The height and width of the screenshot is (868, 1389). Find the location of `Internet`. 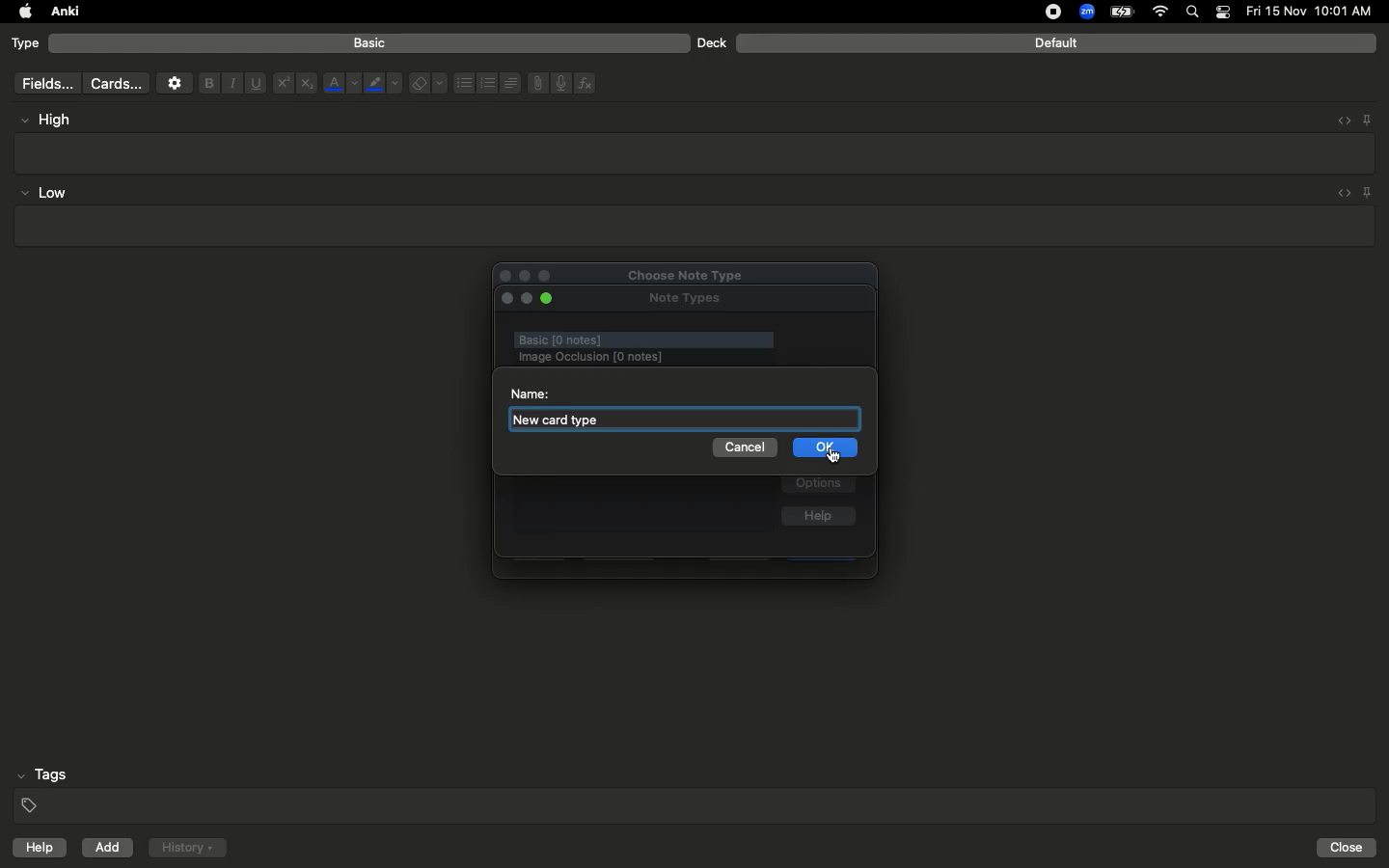

Internet is located at coordinates (1162, 13).